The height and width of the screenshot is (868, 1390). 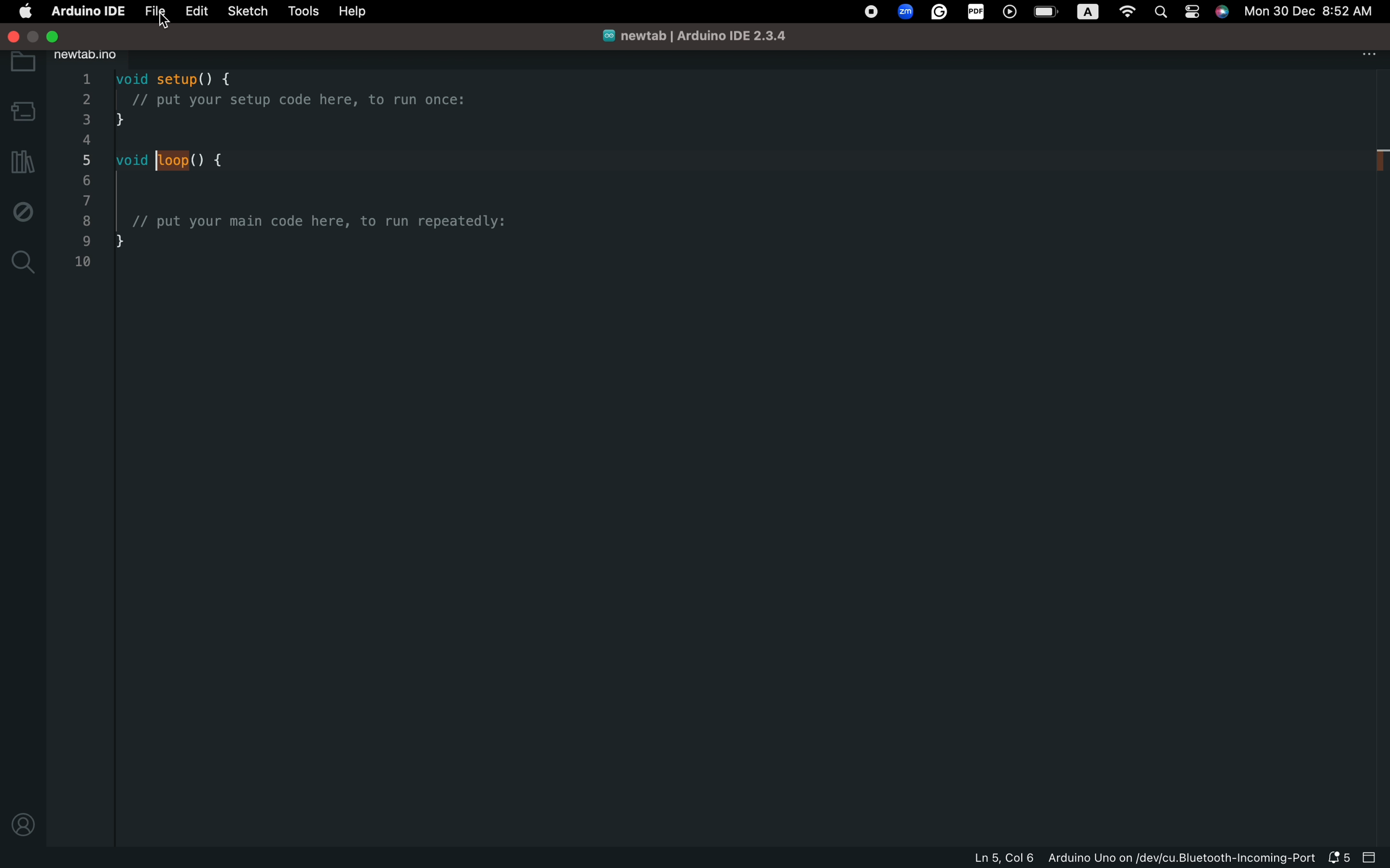 What do you see at coordinates (21, 259) in the screenshot?
I see `search` at bounding box center [21, 259].